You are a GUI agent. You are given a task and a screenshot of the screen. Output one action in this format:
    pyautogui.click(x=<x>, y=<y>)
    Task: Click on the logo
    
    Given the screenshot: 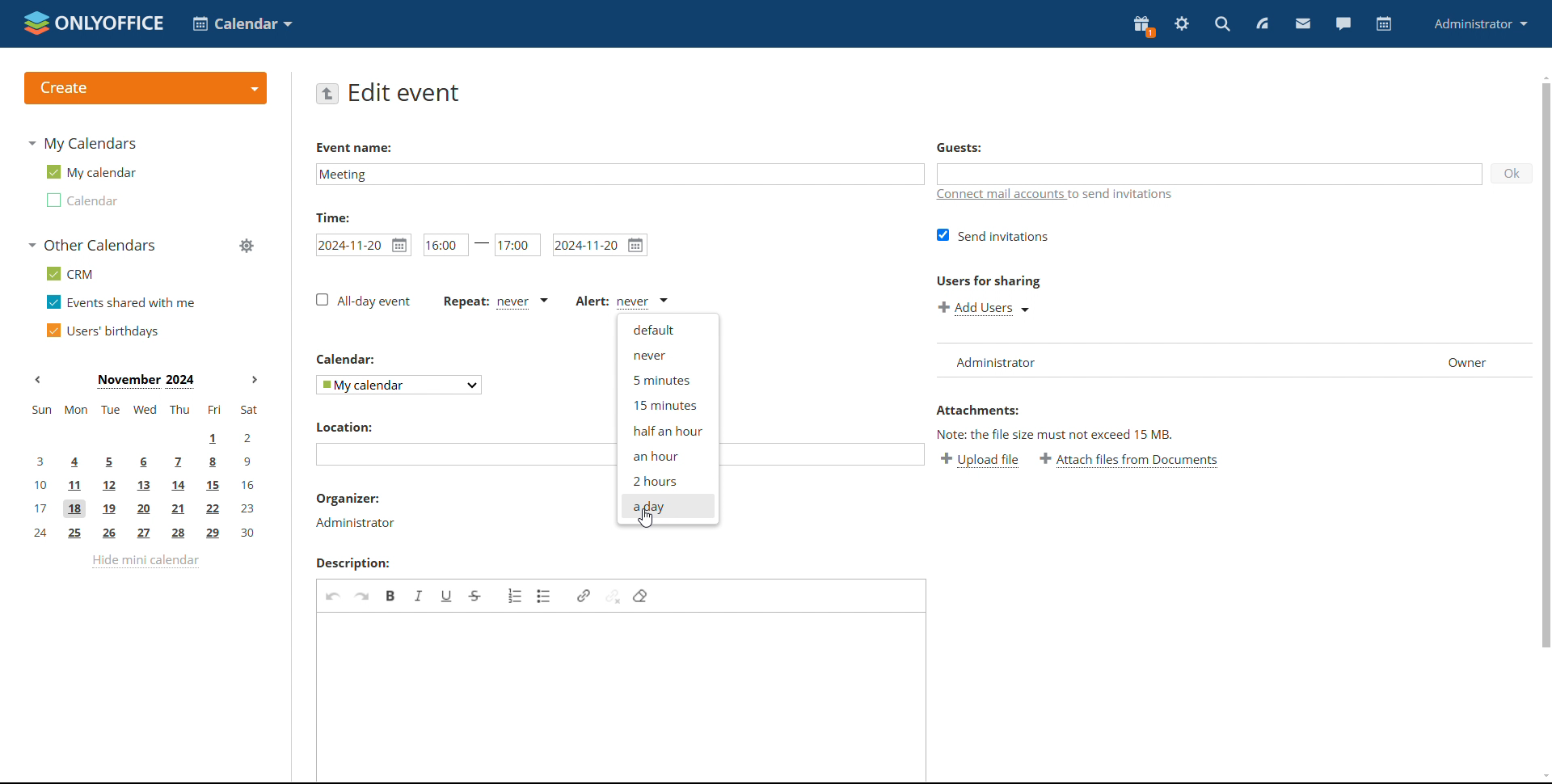 What is the action you would take?
    pyautogui.click(x=91, y=23)
    